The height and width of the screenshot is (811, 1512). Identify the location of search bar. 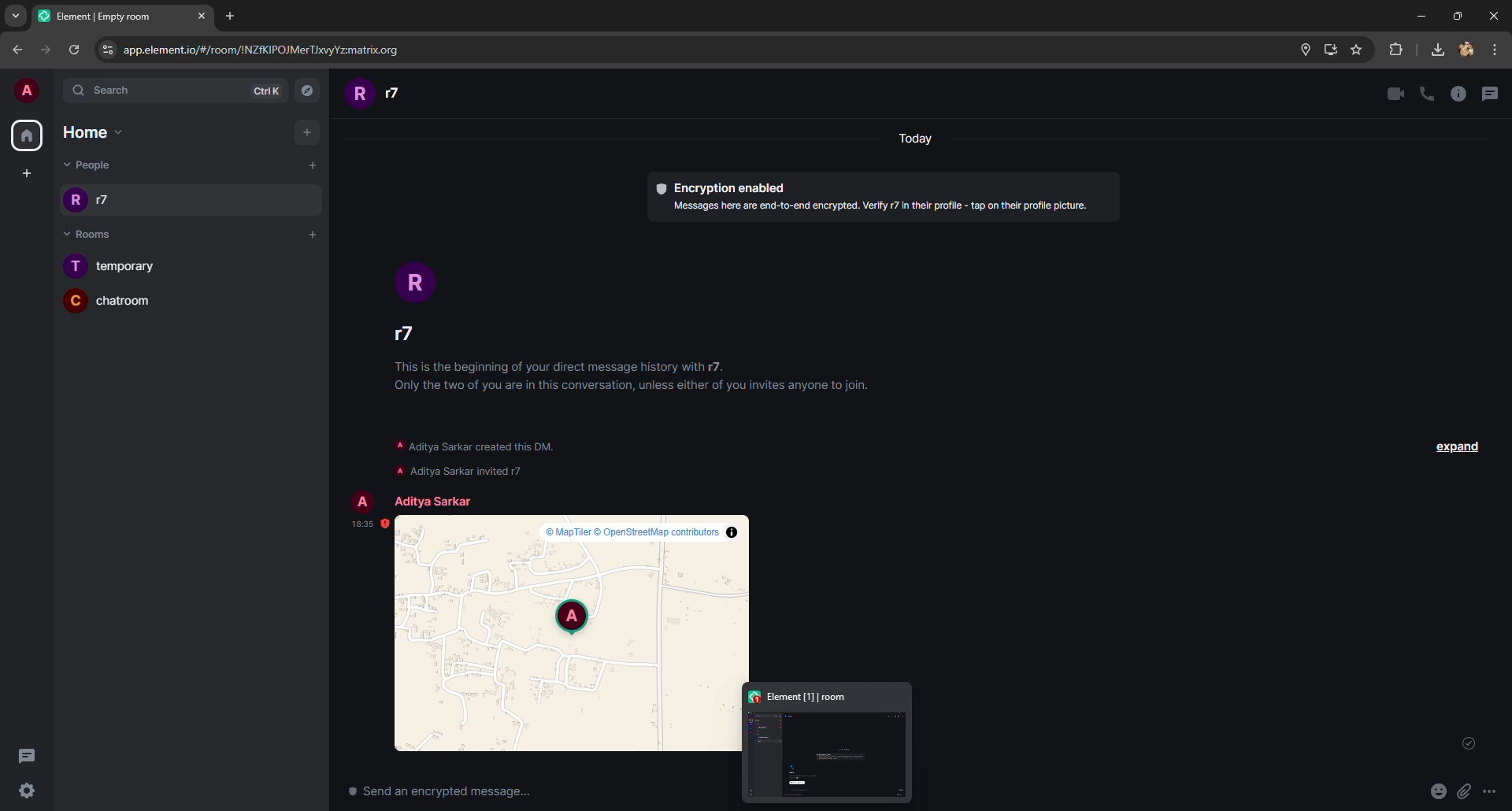
(721, 48).